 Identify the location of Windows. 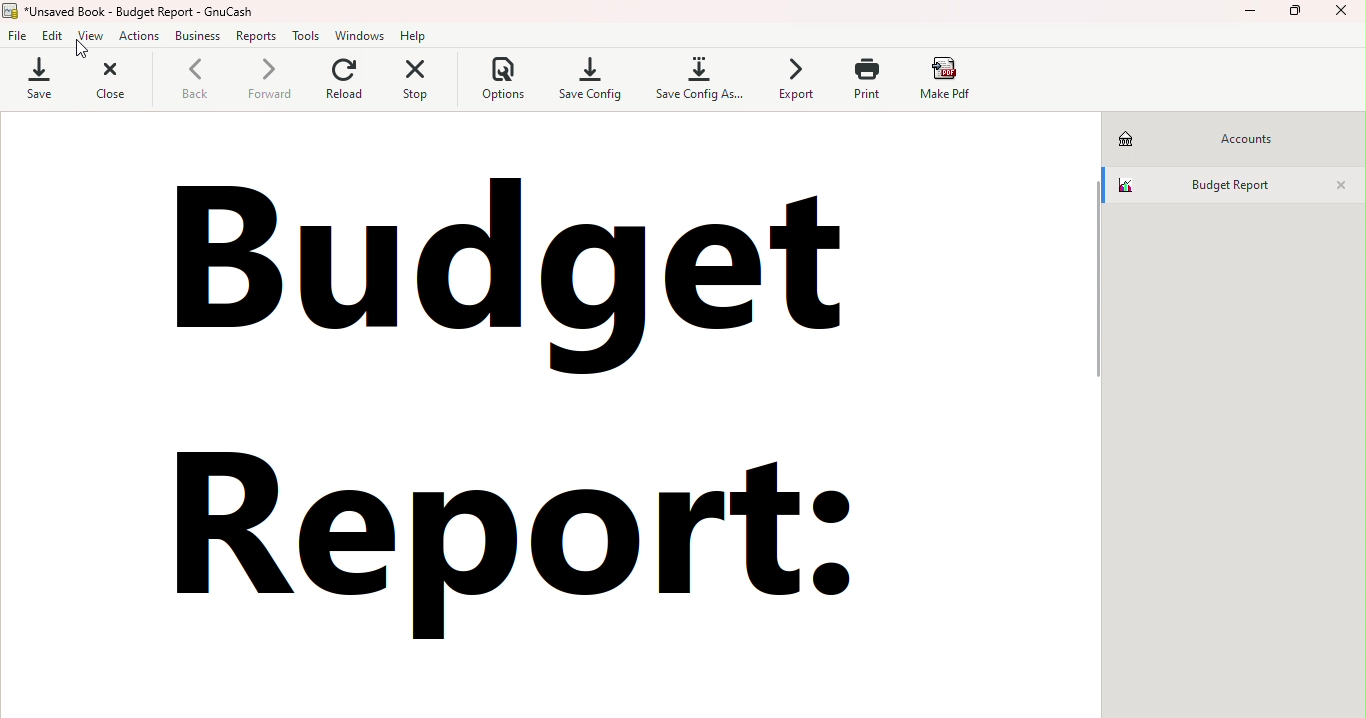
(360, 35).